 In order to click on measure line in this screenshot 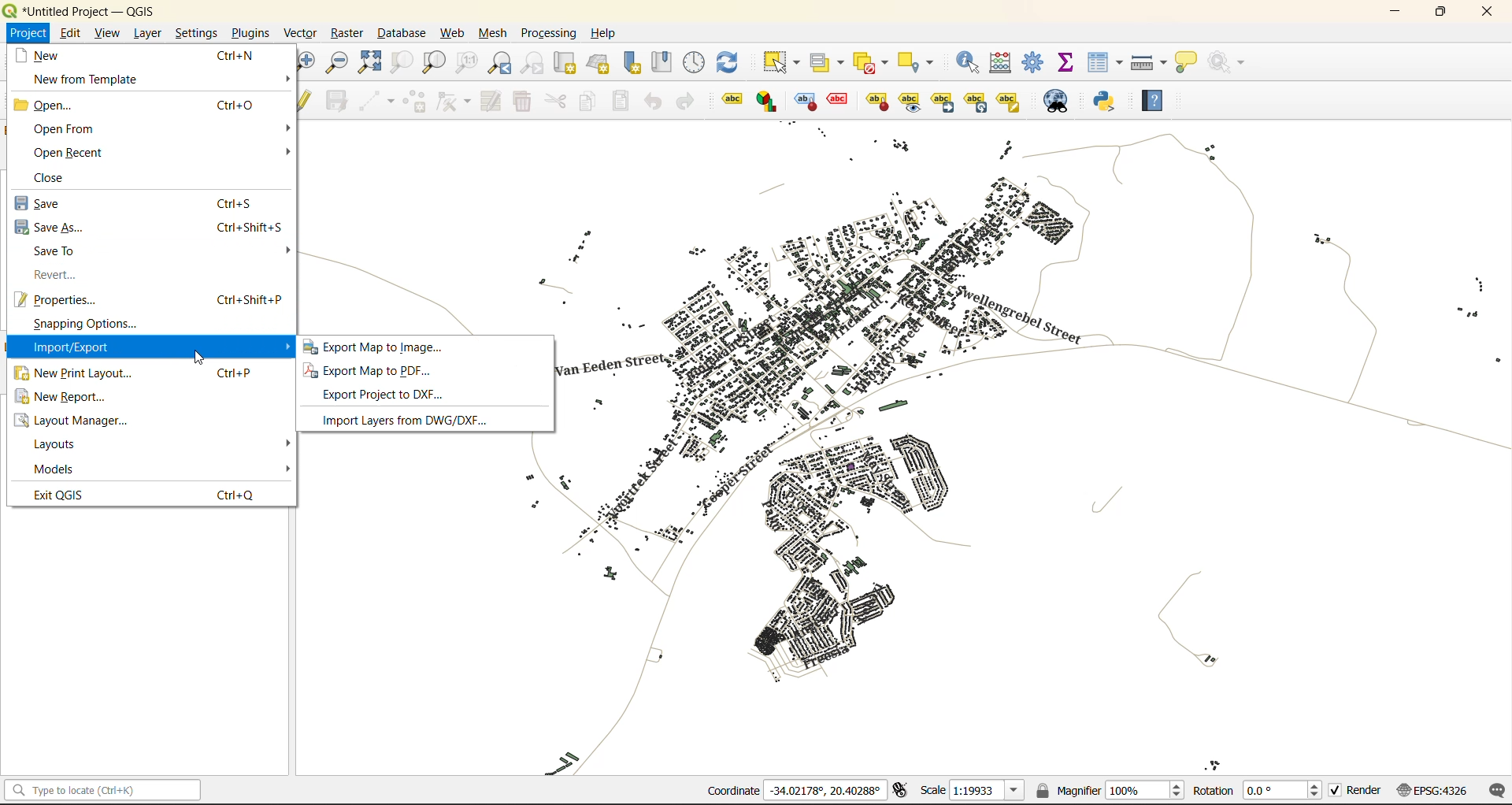, I will do `click(1149, 61)`.